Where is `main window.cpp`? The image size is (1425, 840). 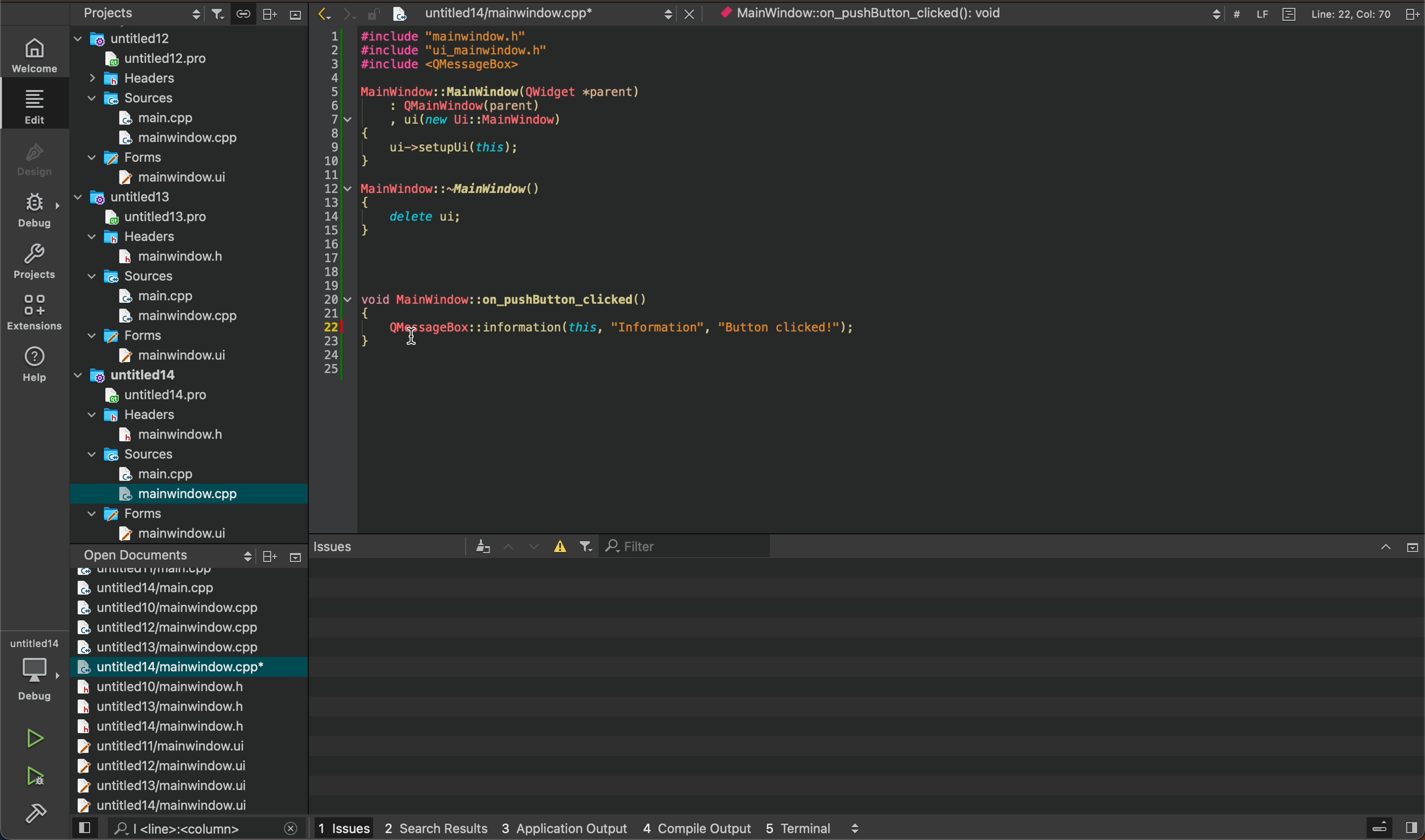
main window.cpp is located at coordinates (170, 138).